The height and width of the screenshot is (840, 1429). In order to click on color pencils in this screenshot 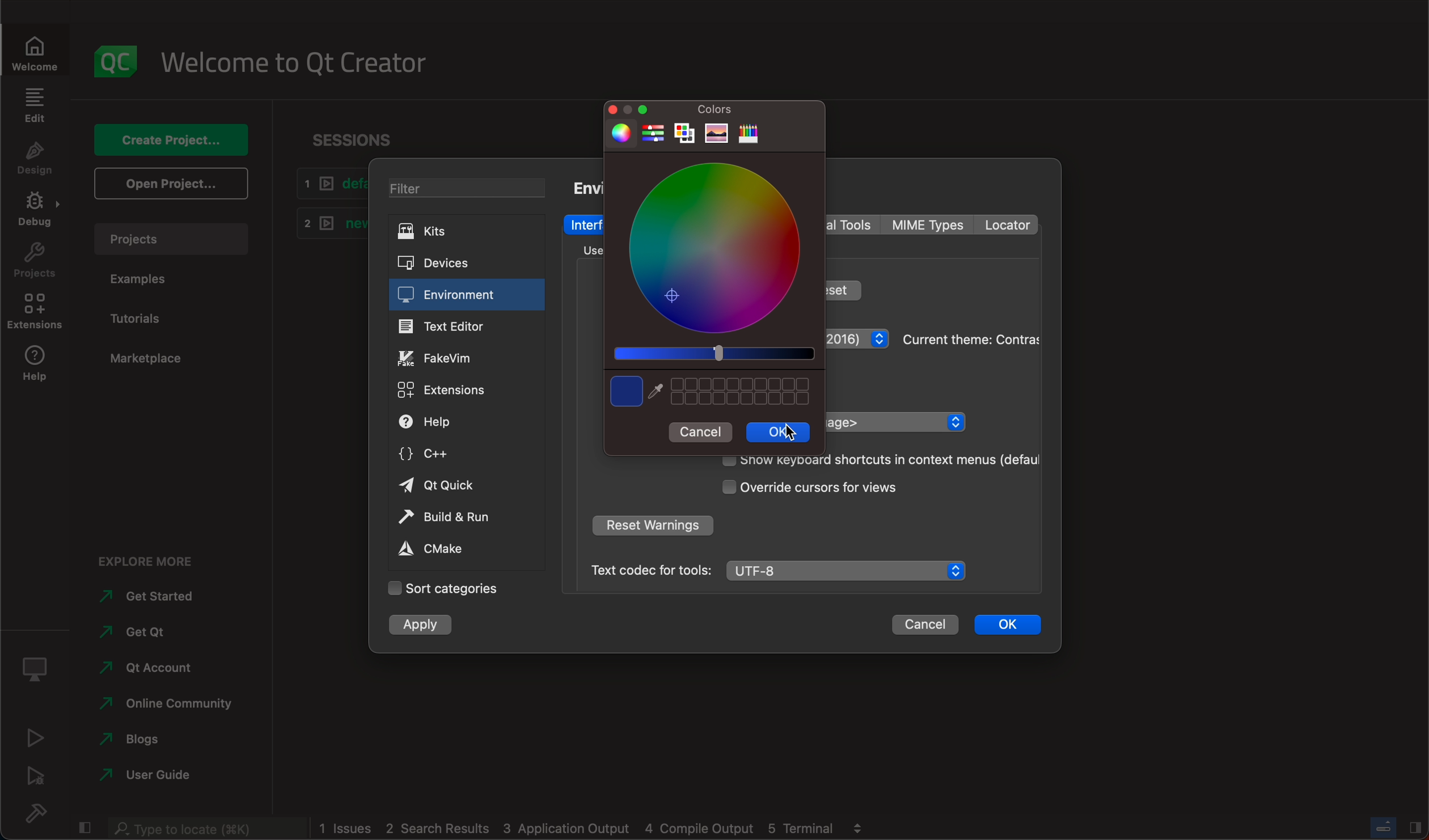, I will do `click(749, 134)`.